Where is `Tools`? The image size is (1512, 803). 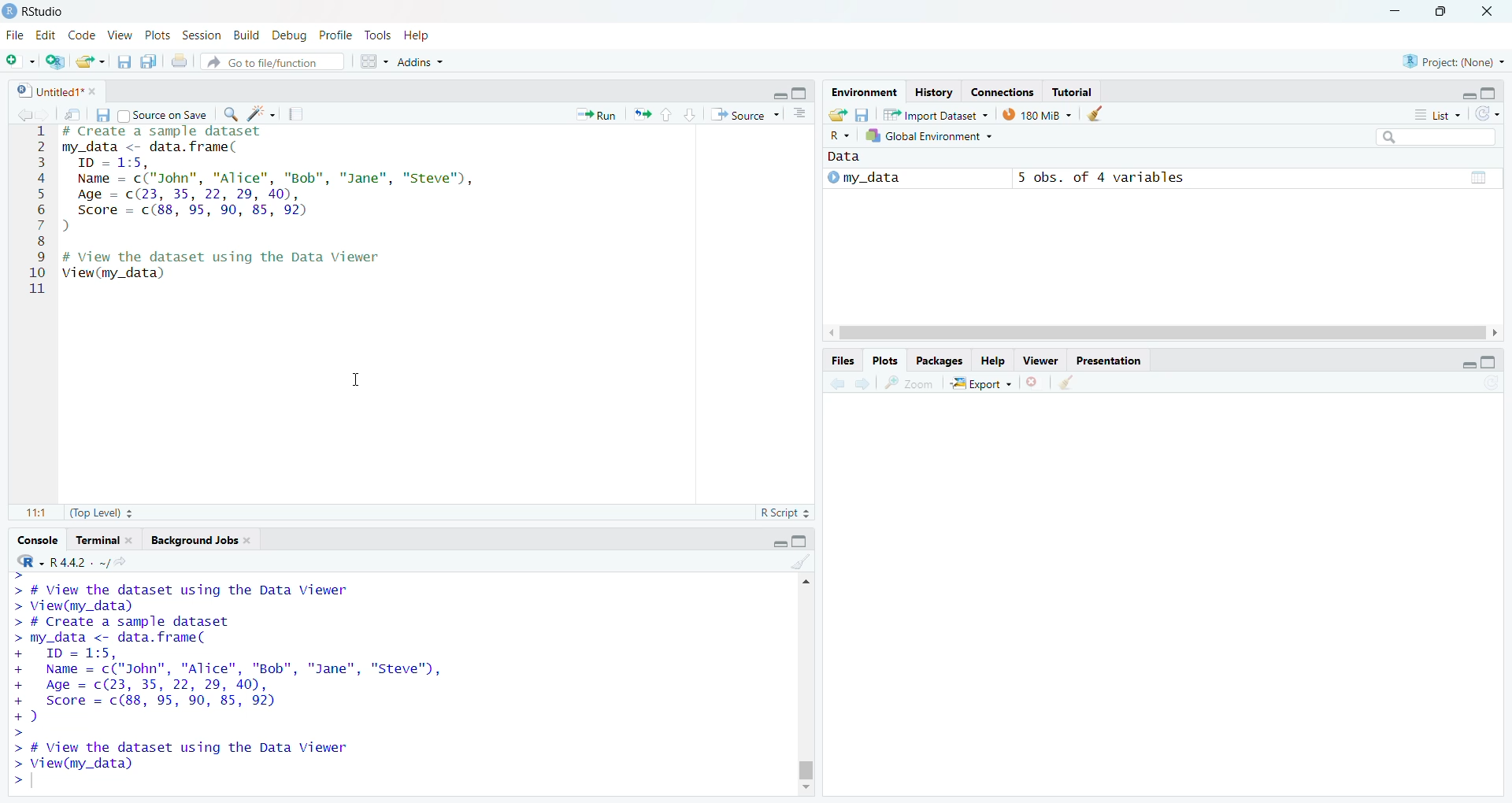
Tools is located at coordinates (379, 35).